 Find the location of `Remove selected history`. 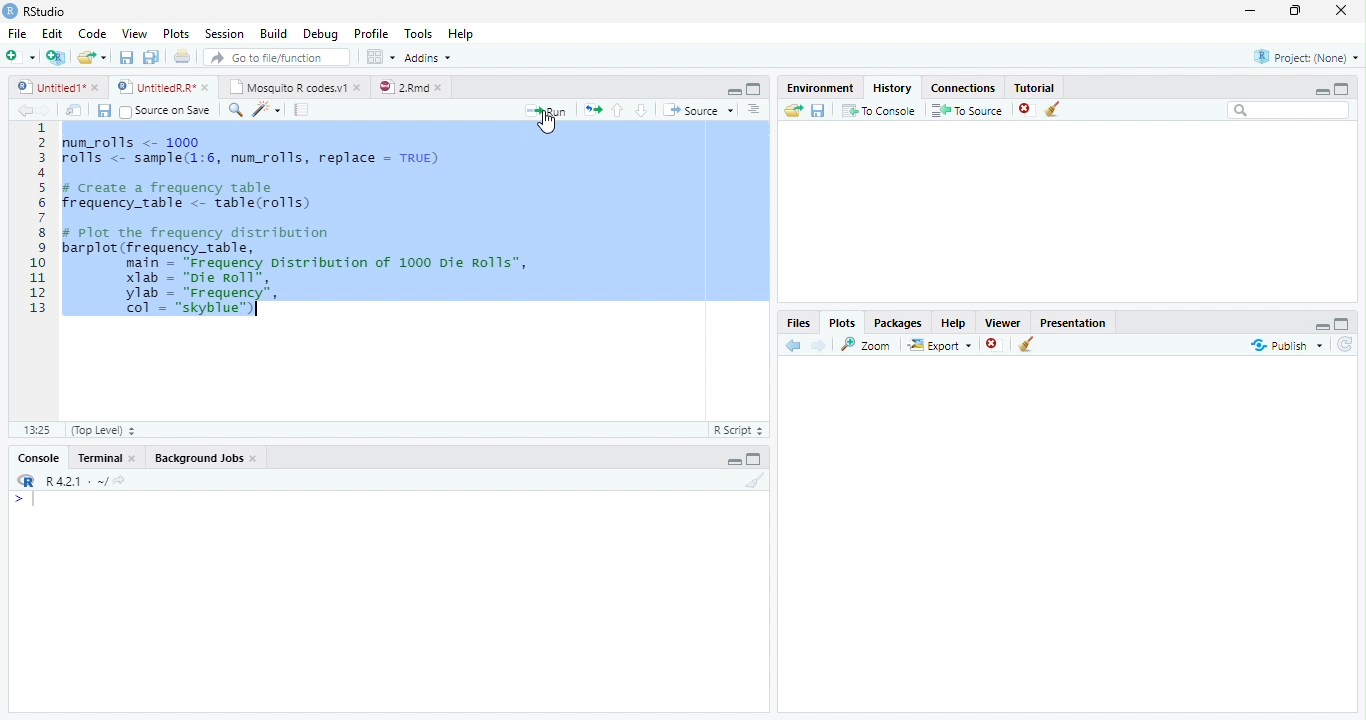

Remove selected history is located at coordinates (1025, 109).